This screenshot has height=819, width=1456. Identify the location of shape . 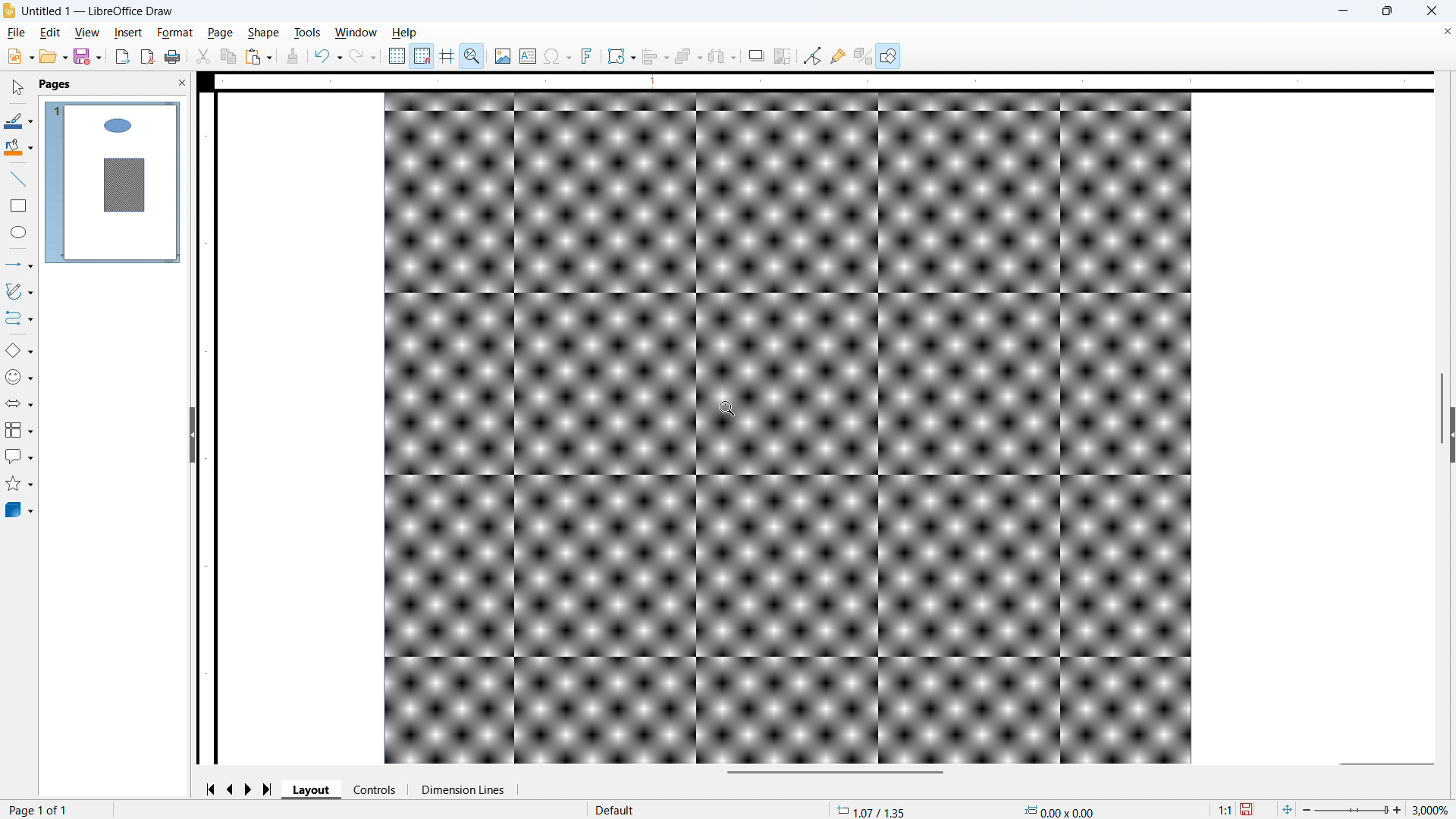
(264, 33).